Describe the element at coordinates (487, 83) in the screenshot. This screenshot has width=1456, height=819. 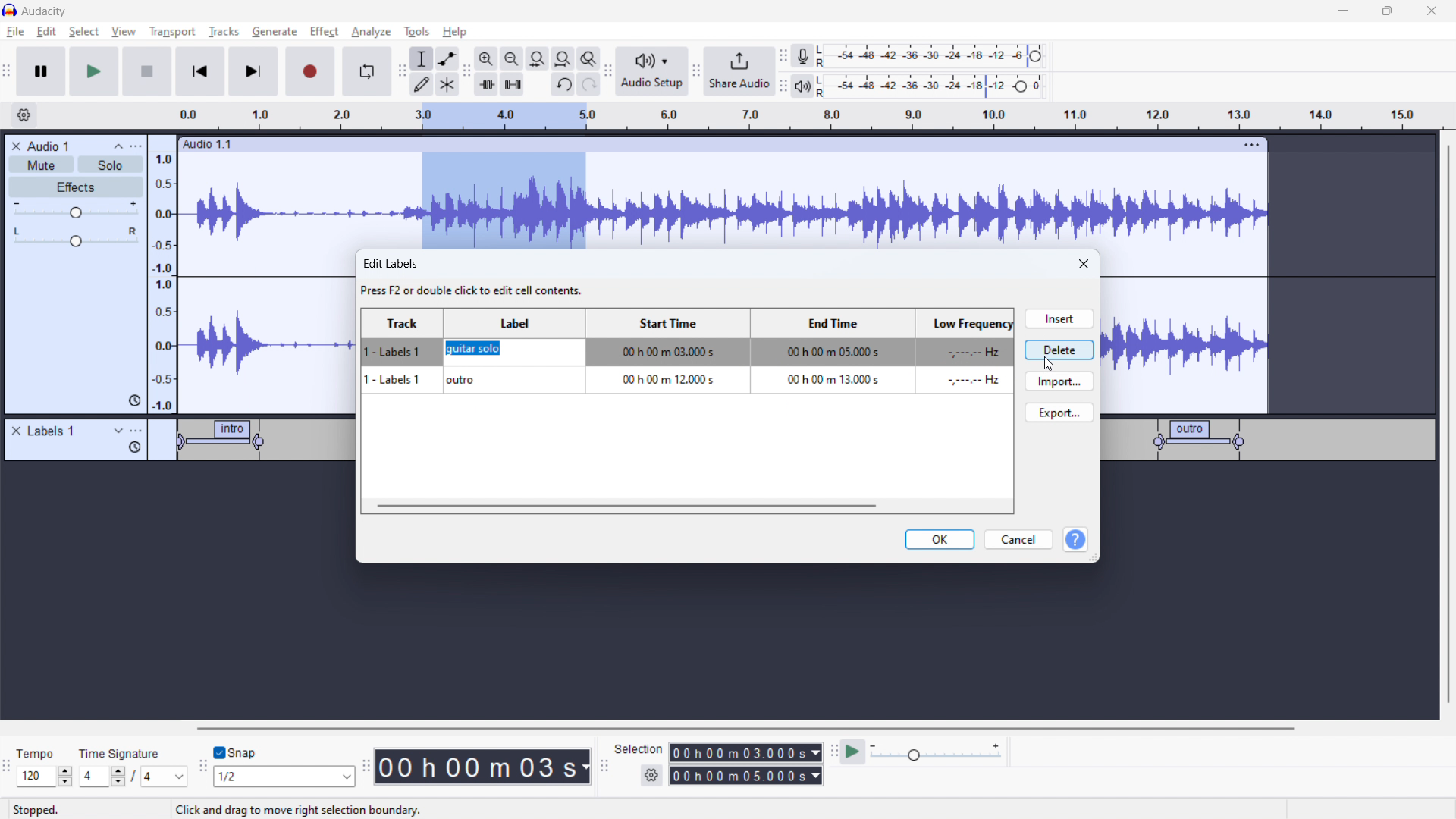
I see `trim audio outside selection` at that location.